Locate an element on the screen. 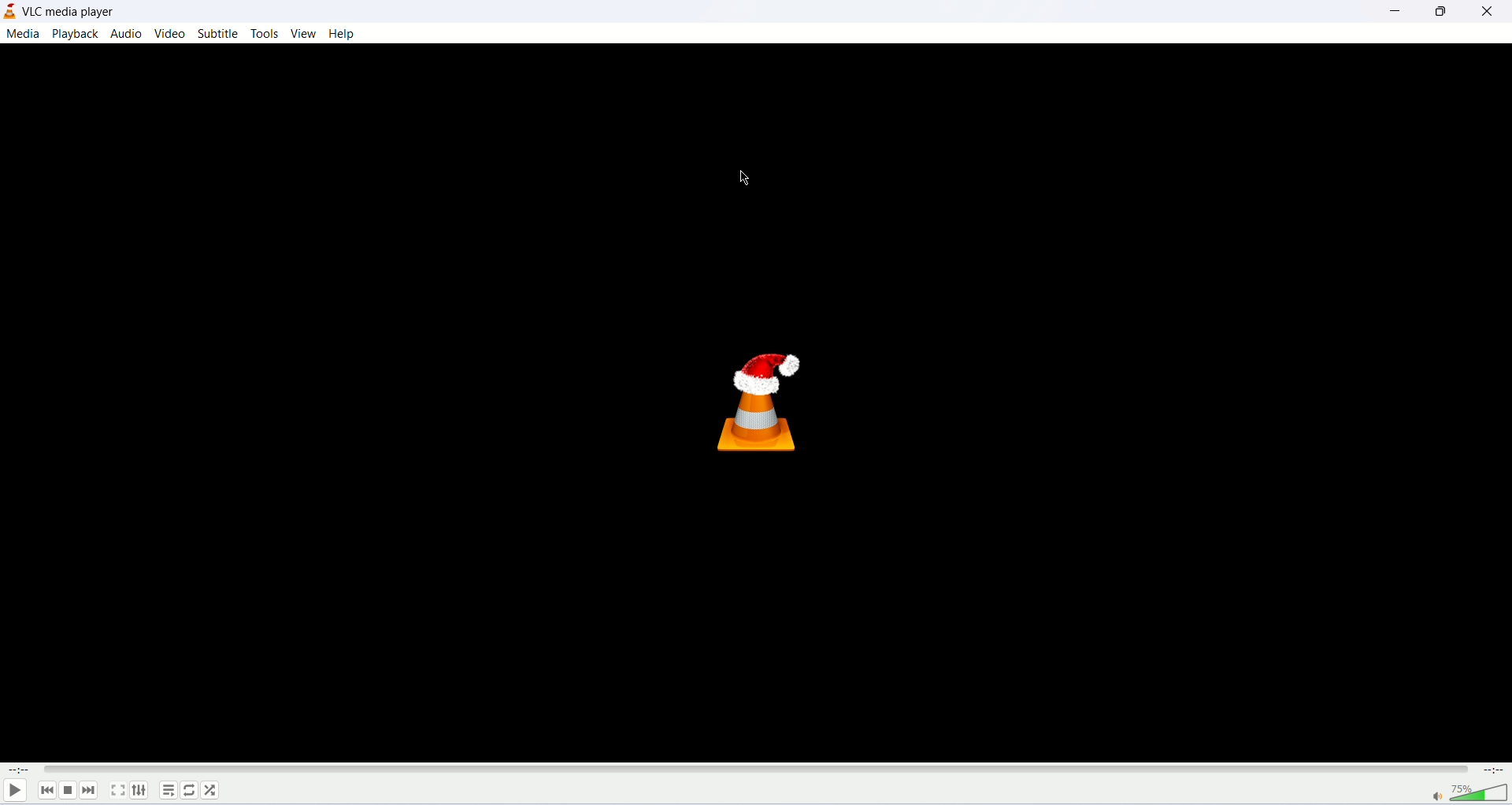  VLC icon is located at coordinates (776, 410).